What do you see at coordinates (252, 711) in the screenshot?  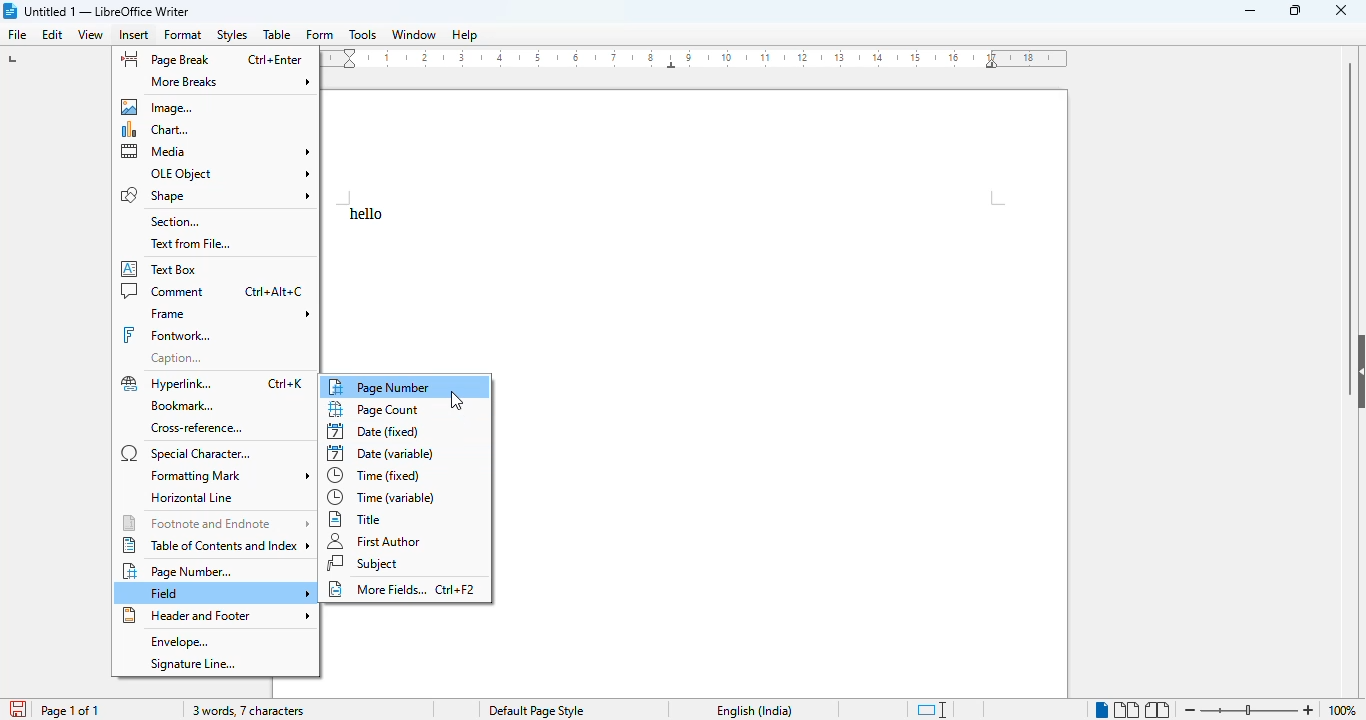 I see `3 words, 7 characters` at bounding box center [252, 711].